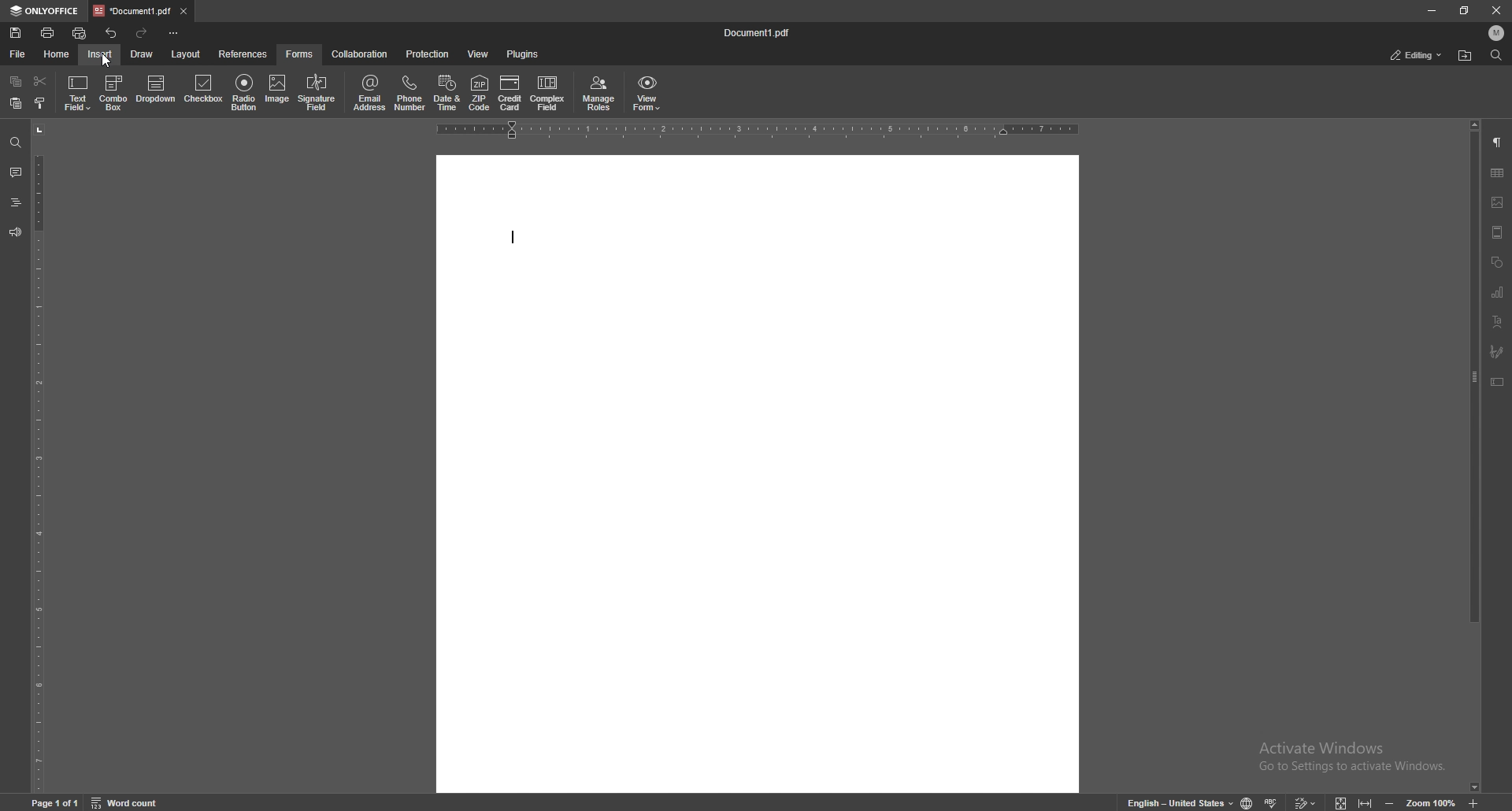  What do you see at coordinates (49, 33) in the screenshot?
I see `print` at bounding box center [49, 33].